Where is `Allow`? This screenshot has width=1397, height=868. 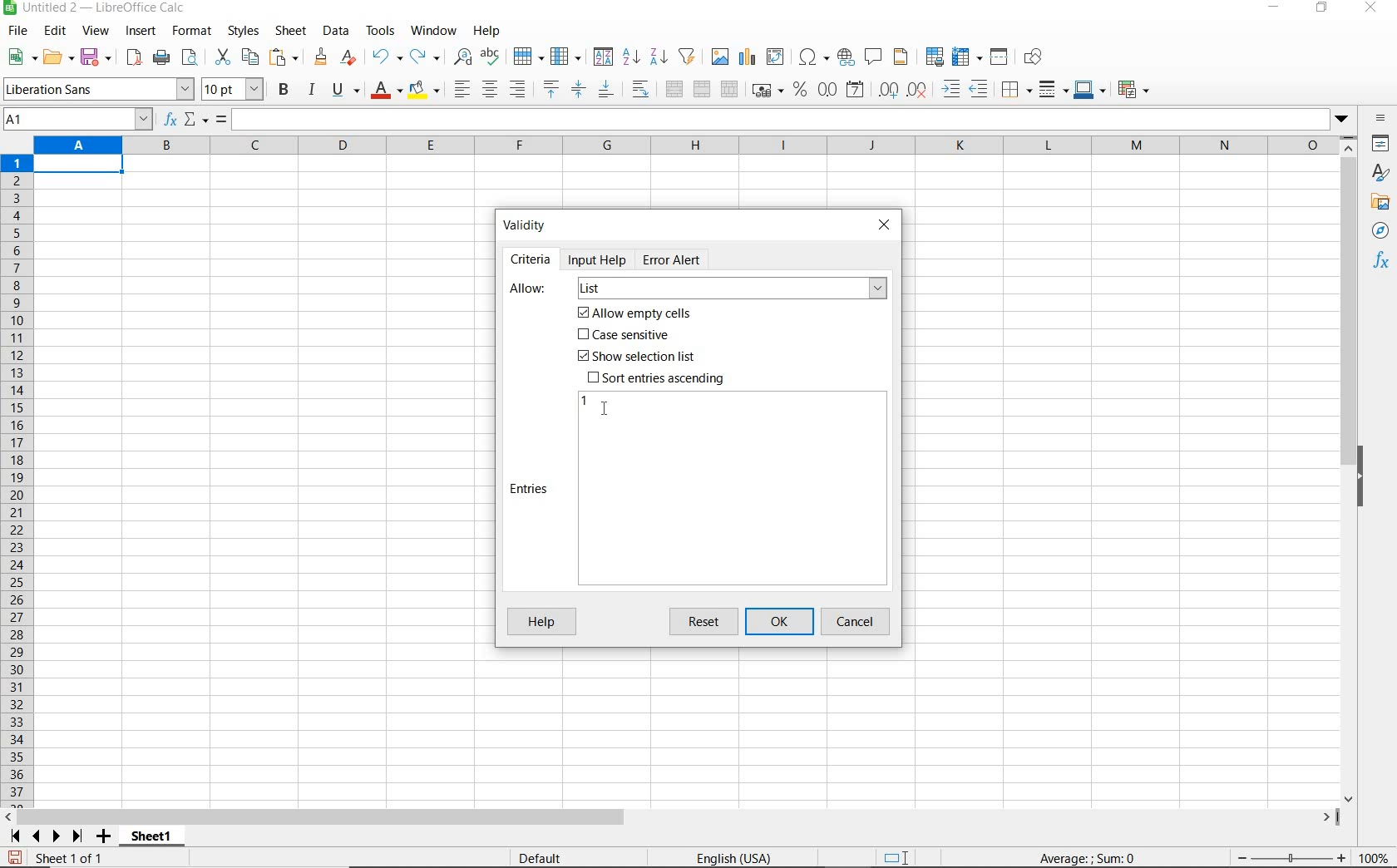
Allow is located at coordinates (529, 289).